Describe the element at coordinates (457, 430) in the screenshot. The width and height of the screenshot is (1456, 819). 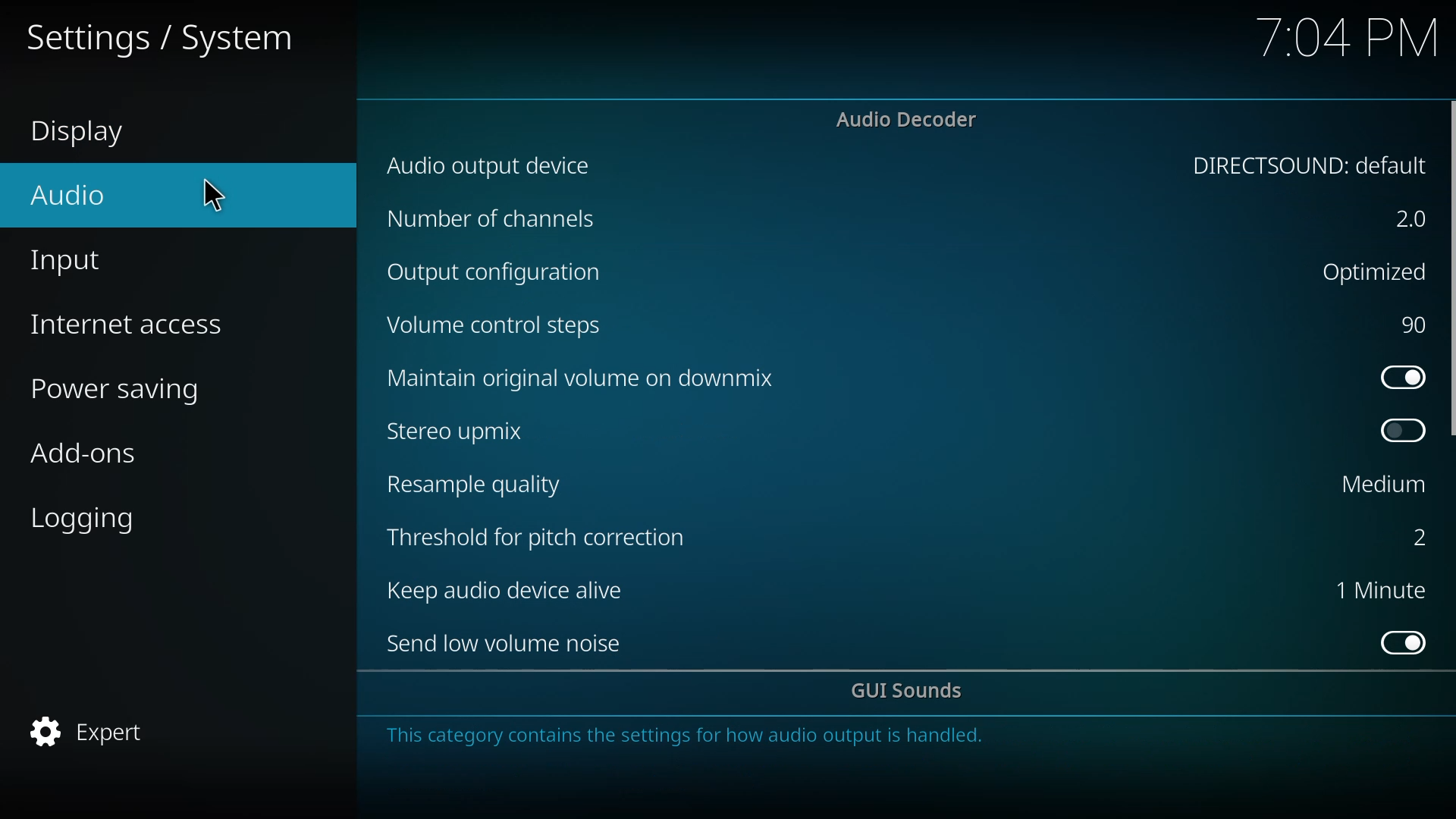
I see `stereo upmix` at that location.